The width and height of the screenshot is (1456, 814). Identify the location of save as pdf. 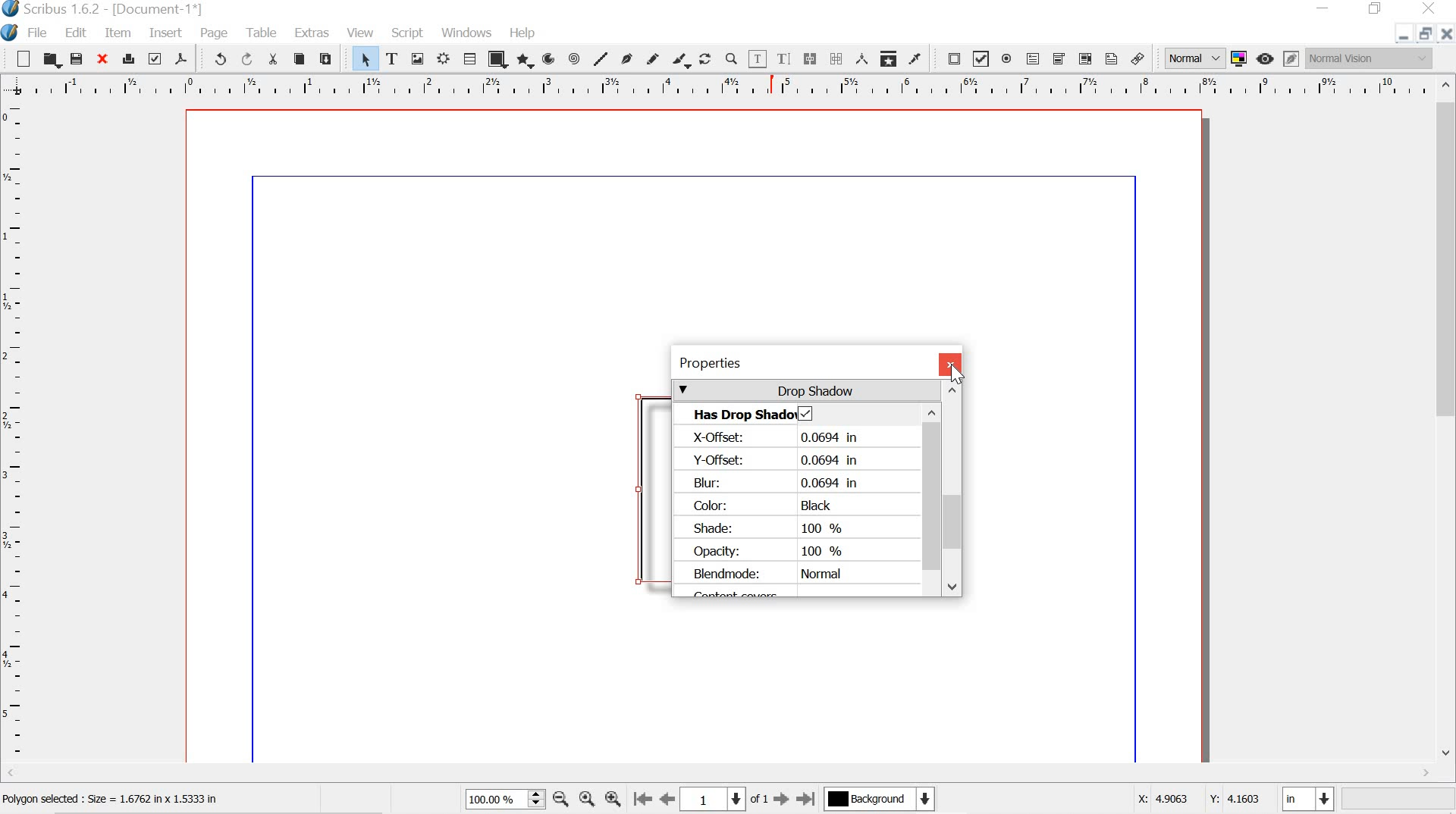
(180, 58).